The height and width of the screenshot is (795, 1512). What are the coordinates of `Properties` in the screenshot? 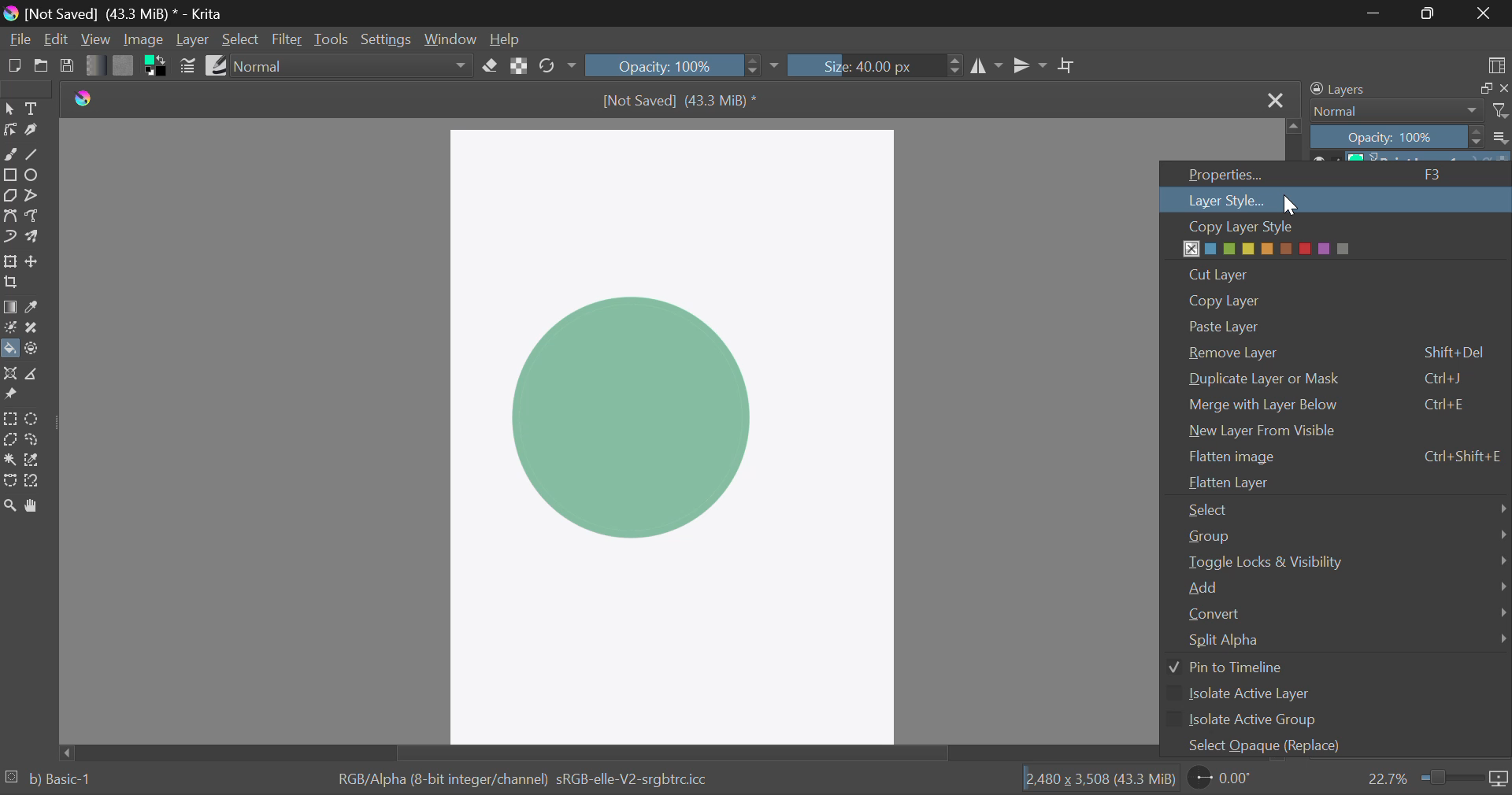 It's located at (1331, 172).